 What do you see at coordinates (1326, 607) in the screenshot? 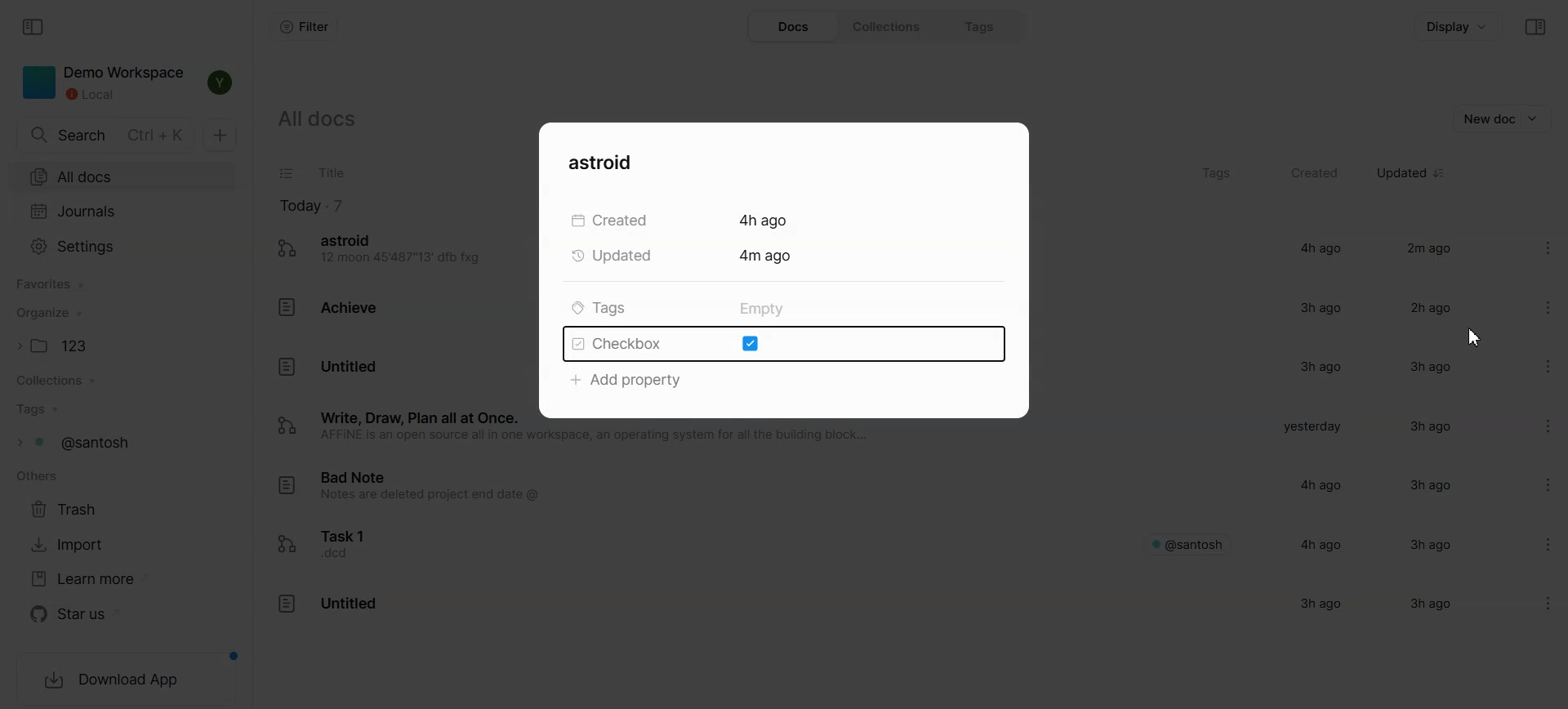
I see `3h ago` at bounding box center [1326, 607].